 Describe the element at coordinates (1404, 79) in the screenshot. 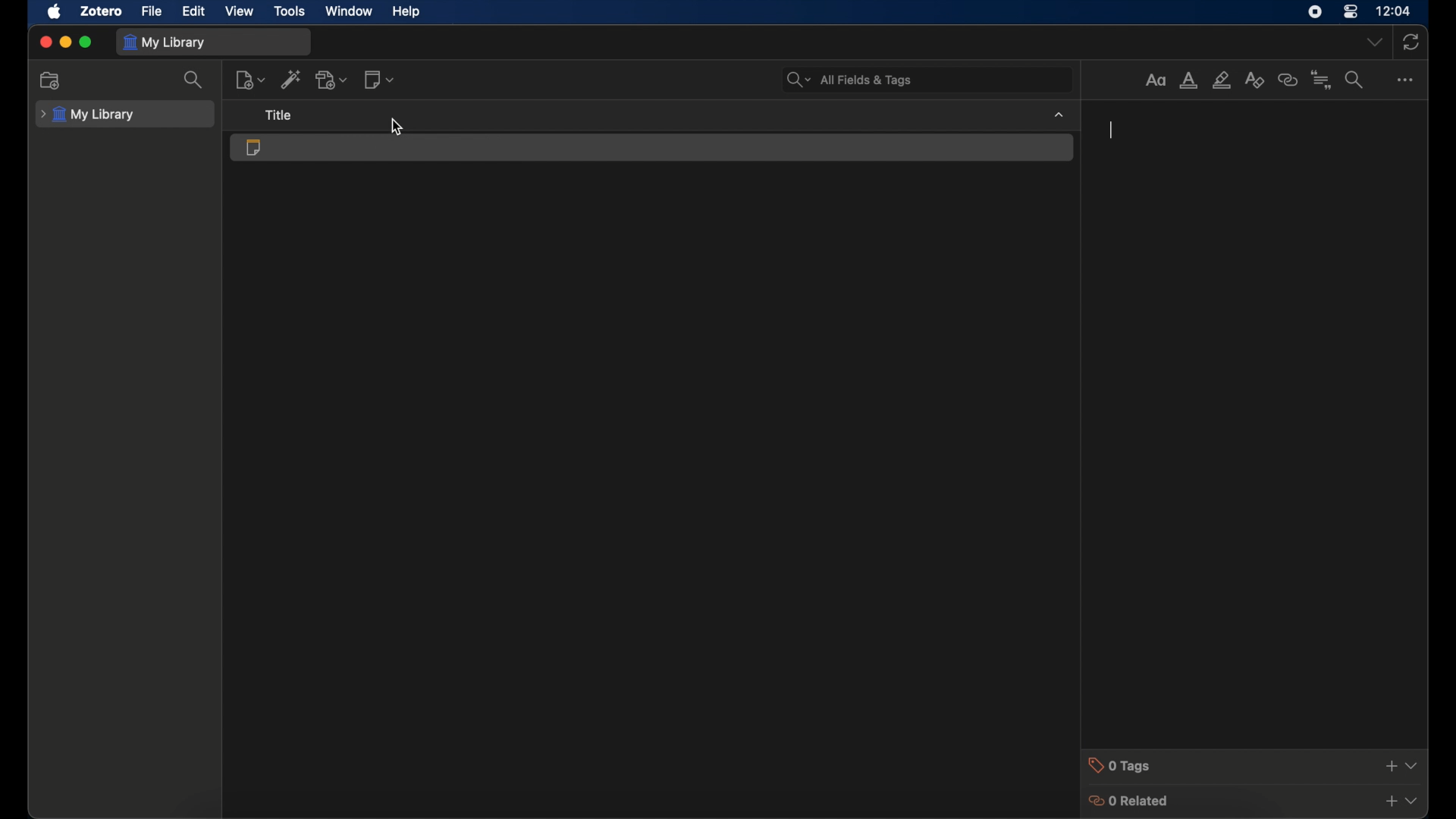

I see `more options` at that location.